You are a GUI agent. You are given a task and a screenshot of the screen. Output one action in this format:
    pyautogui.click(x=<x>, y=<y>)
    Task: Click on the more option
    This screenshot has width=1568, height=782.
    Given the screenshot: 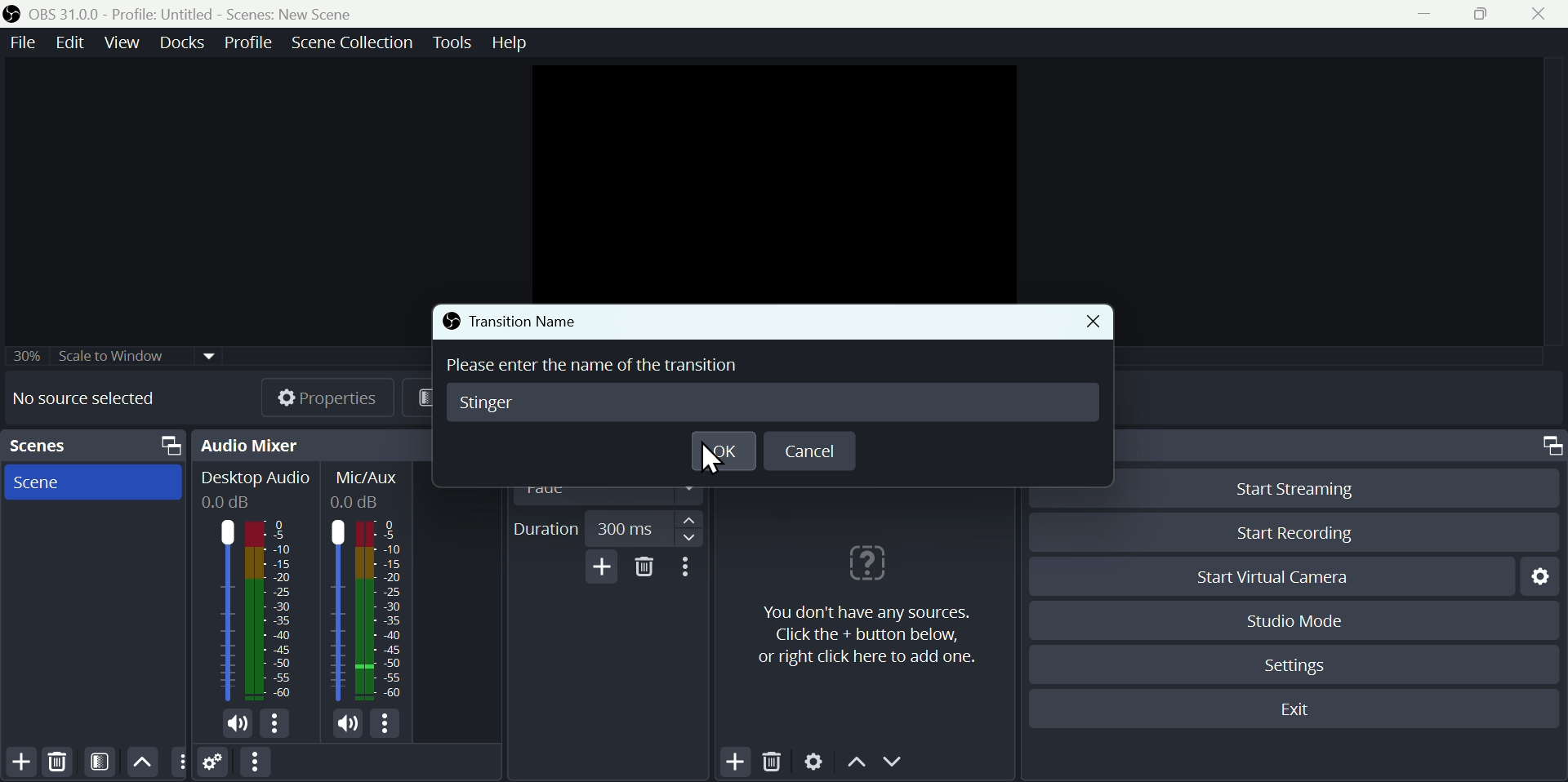 What is the action you would take?
    pyautogui.click(x=180, y=762)
    